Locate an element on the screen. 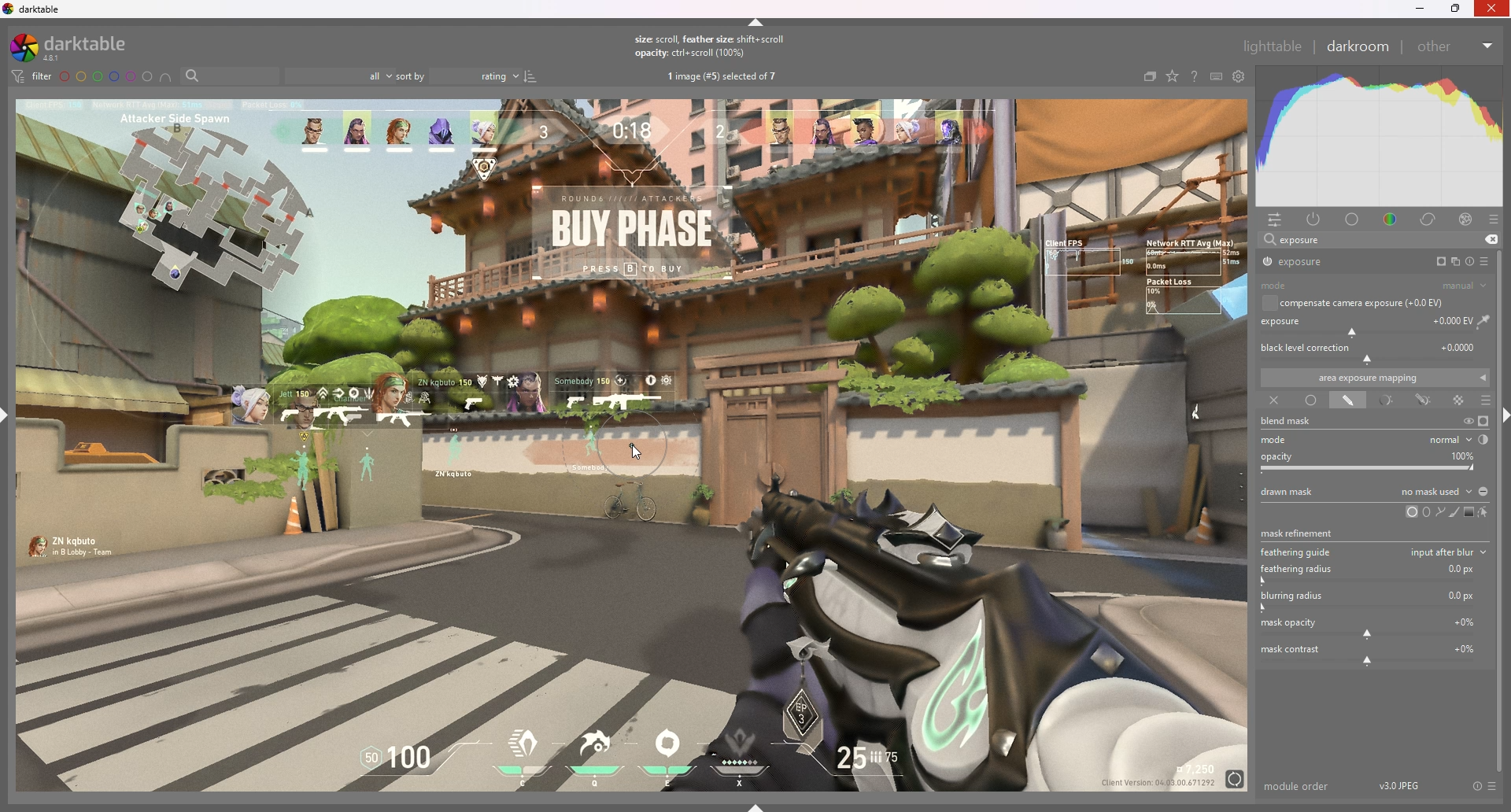 This screenshot has height=812, width=1511. show and edit mask elements is located at coordinates (1484, 512).